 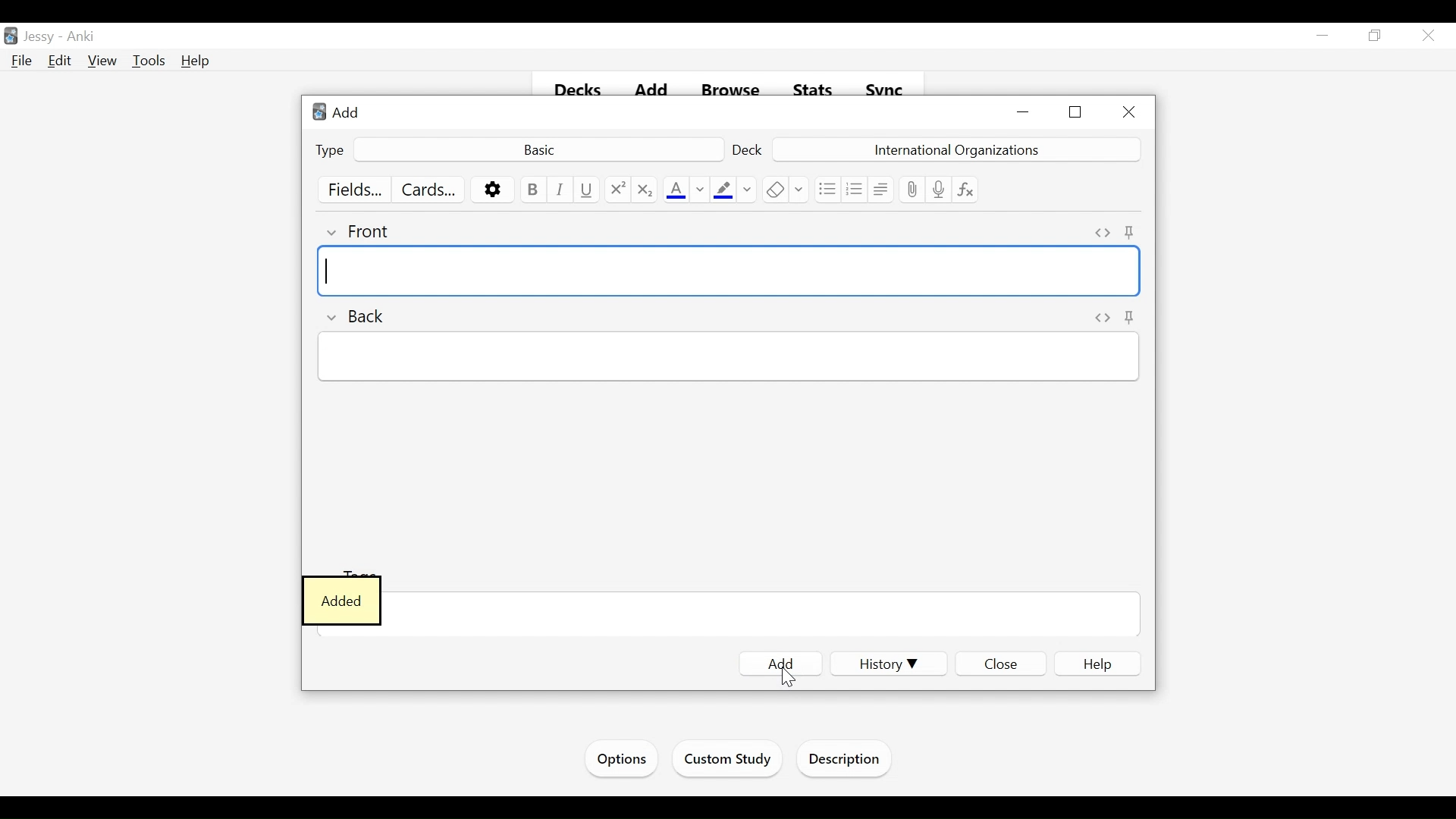 I want to click on Cursor, so click(x=788, y=683).